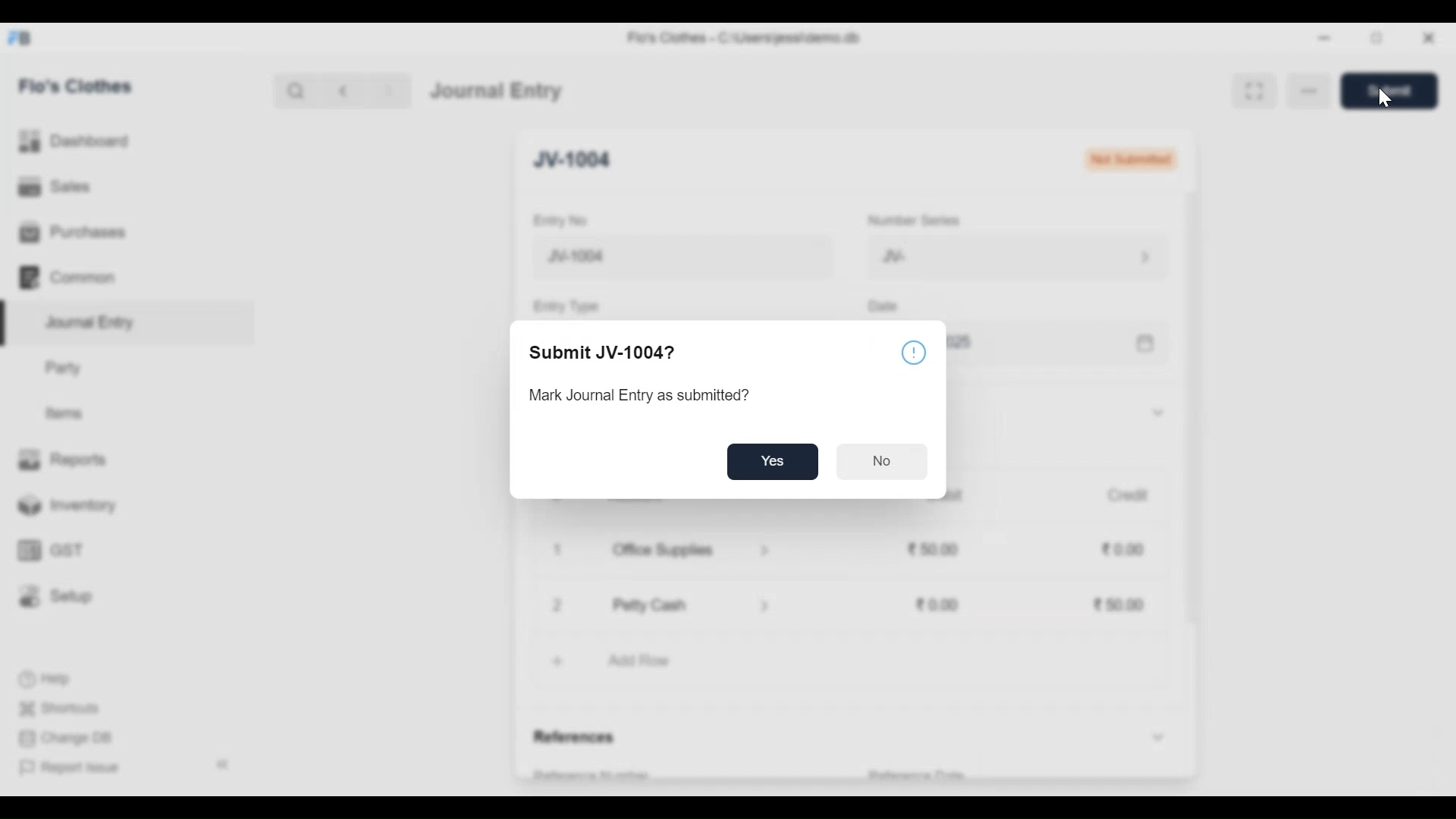 The width and height of the screenshot is (1456, 819). What do you see at coordinates (648, 395) in the screenshot?
I see `Mark Journal Entry as submitted?` at bounding box center [648, 395].